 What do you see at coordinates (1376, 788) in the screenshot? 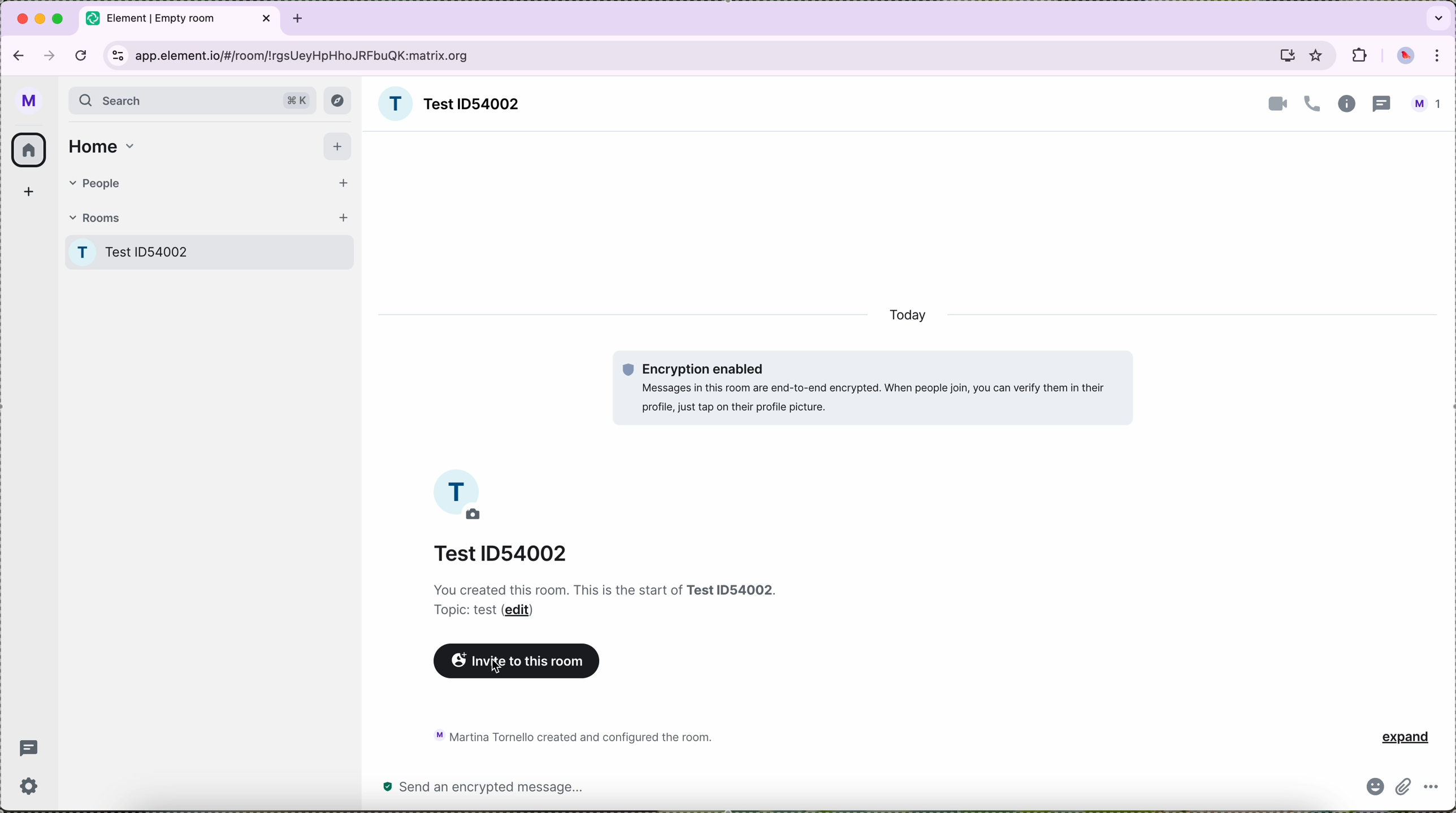
I see `emoji` at bounding box center [1376, 788].